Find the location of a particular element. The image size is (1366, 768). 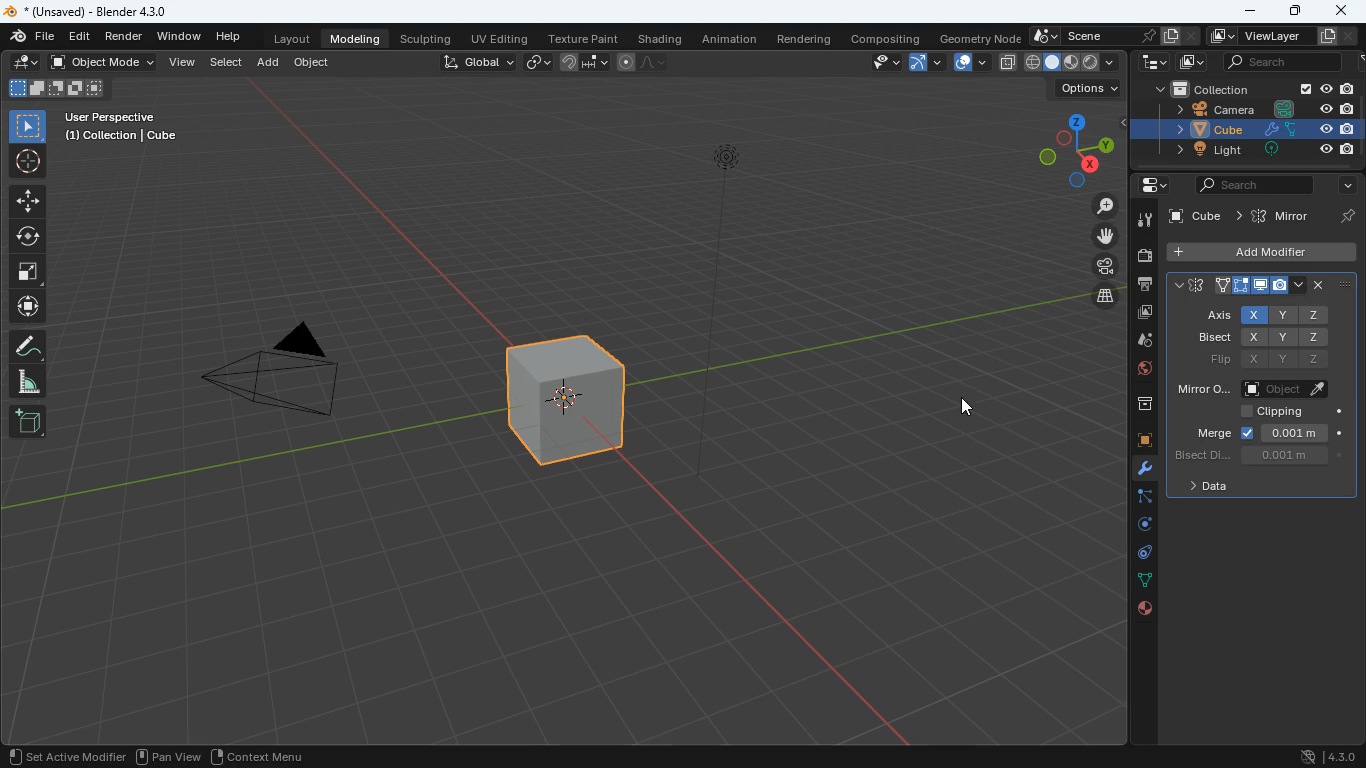

 is located at coordinates (1197, 218).